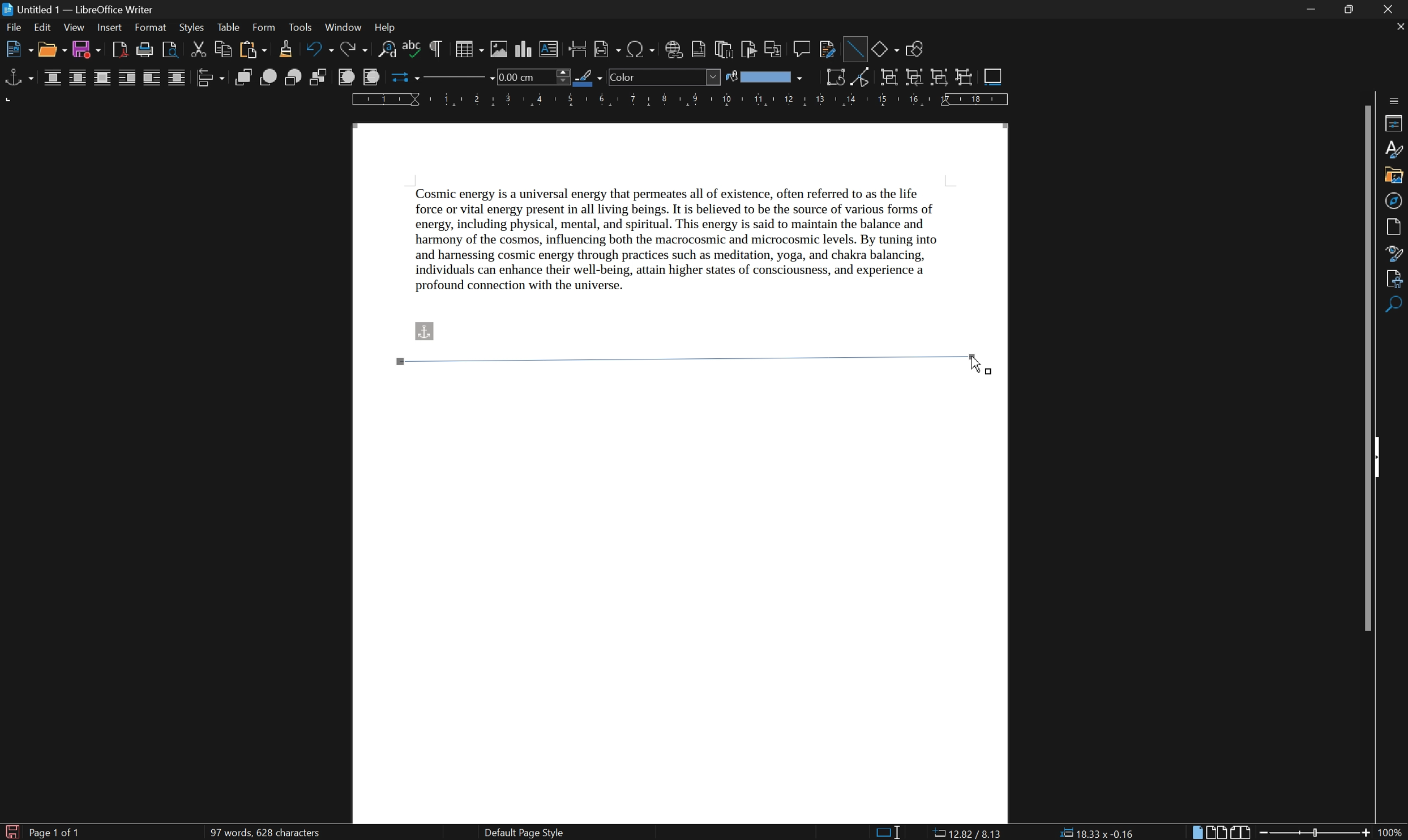 This screenshot has height=840, width=1408. I want to click on cut, so click(200, 49).